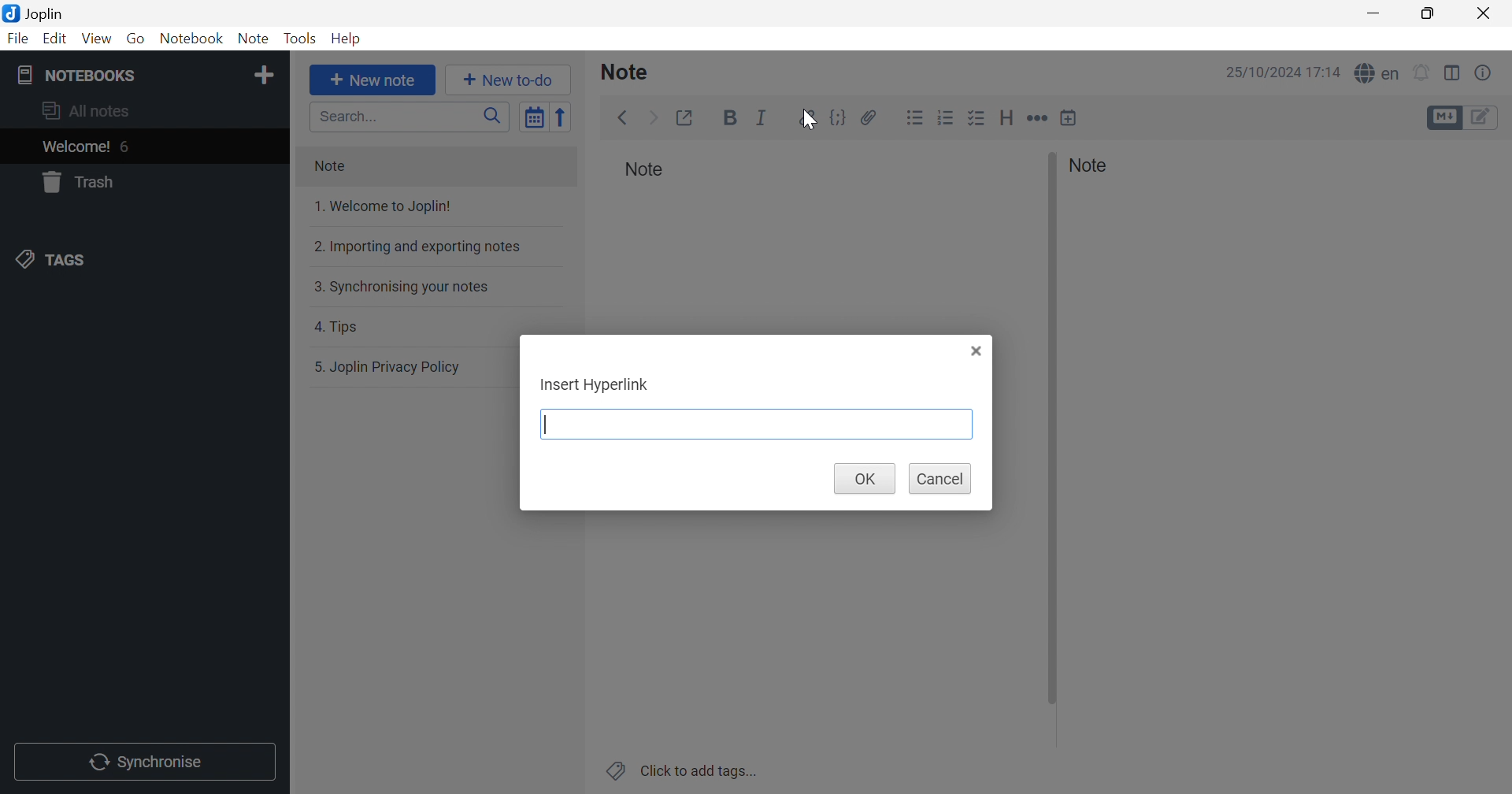 The image size is (1512, 794). Describe the element at coordinates (345, 40) in the screenshot. I see `Help` at that location.